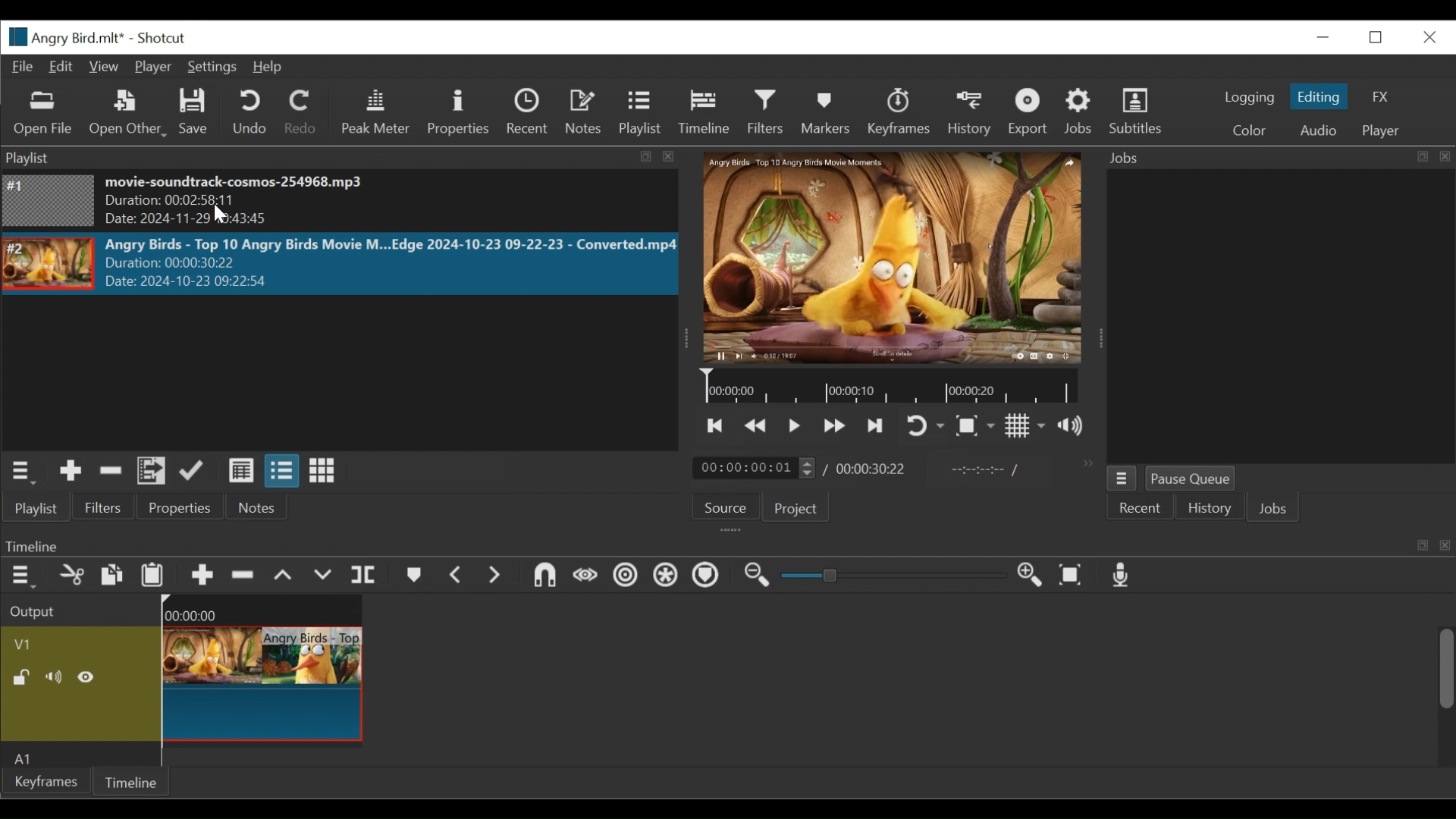  What do you see at coordinates (640, 114) in the screenshot?
I see `Playlist` at bounding box center [640, 114].